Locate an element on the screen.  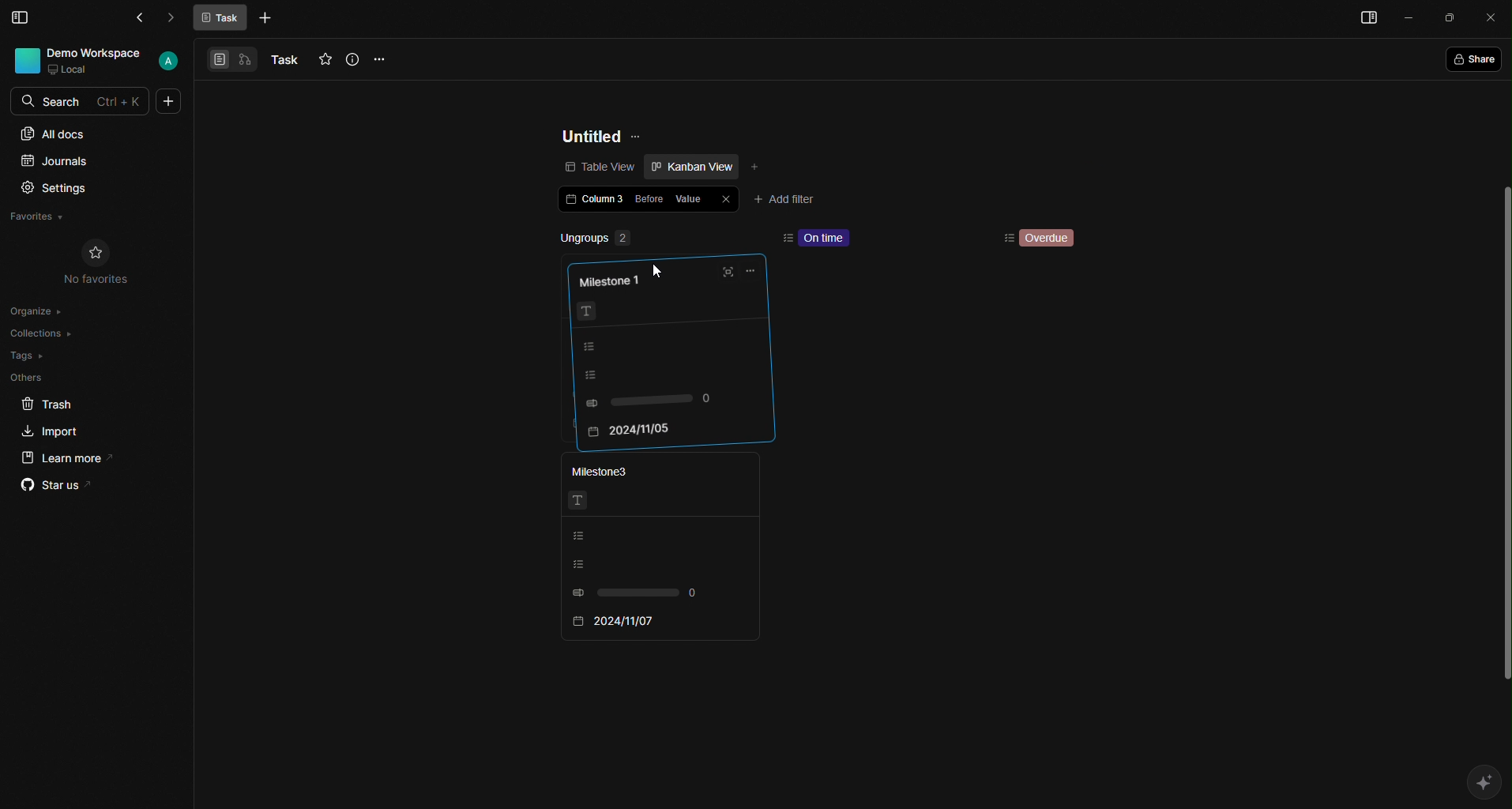
Close is located at coordinates (1493, 16).